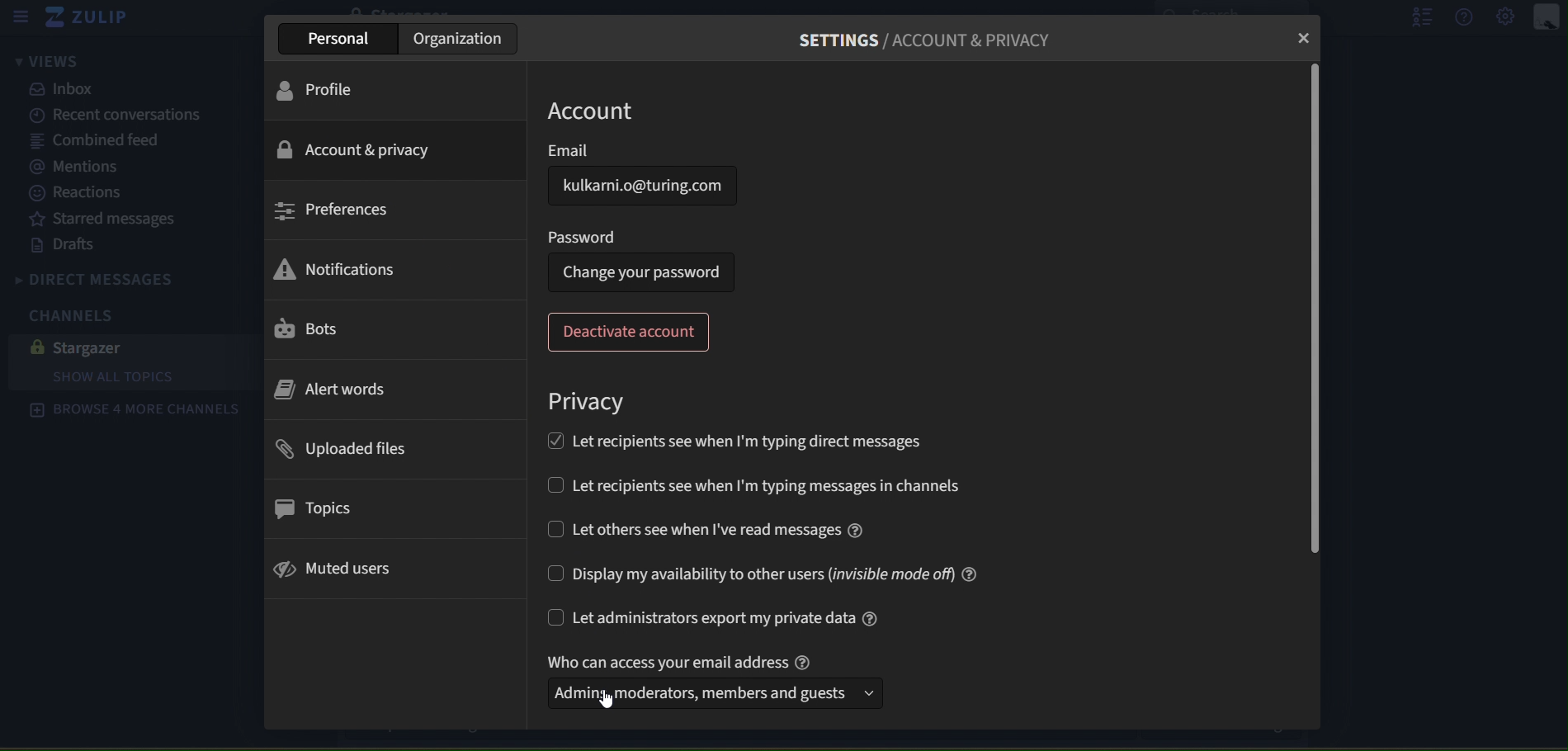 This screenshot has width=1568, height=751. Describe the element at coordinates (68, 245) in the screenshot. I see `drafts` at that location.